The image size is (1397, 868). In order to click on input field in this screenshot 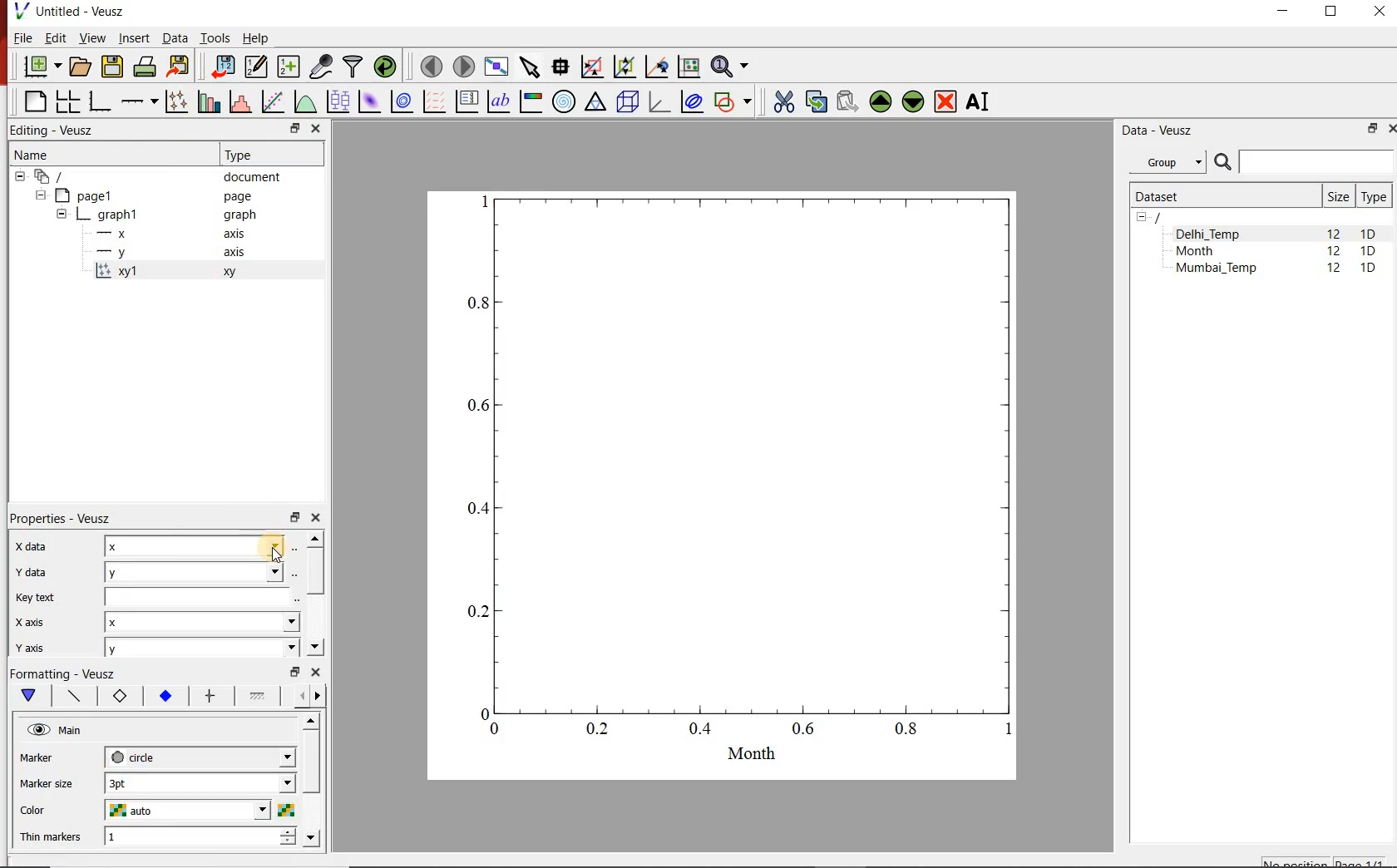, I will do `click(204, 596)`.